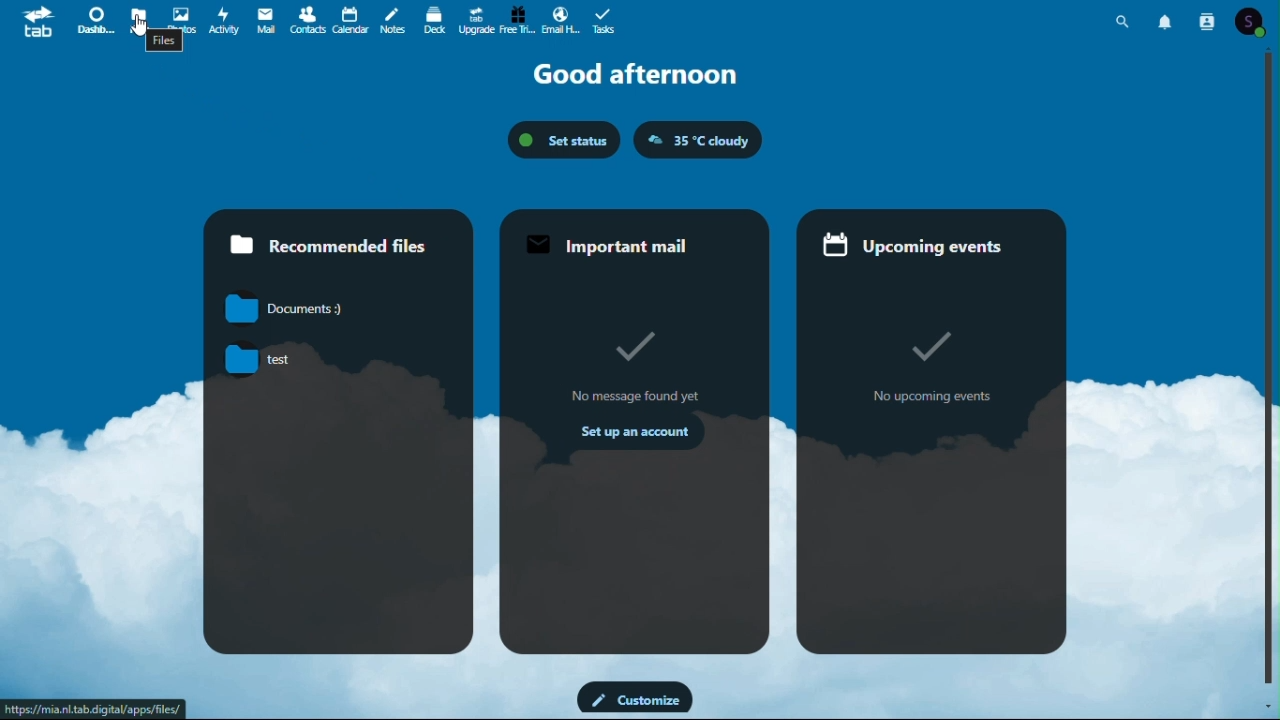  What do you see at coordinates (309, 22) in the screenshot?
I see `Contacts` at bounding box center [309, 22].